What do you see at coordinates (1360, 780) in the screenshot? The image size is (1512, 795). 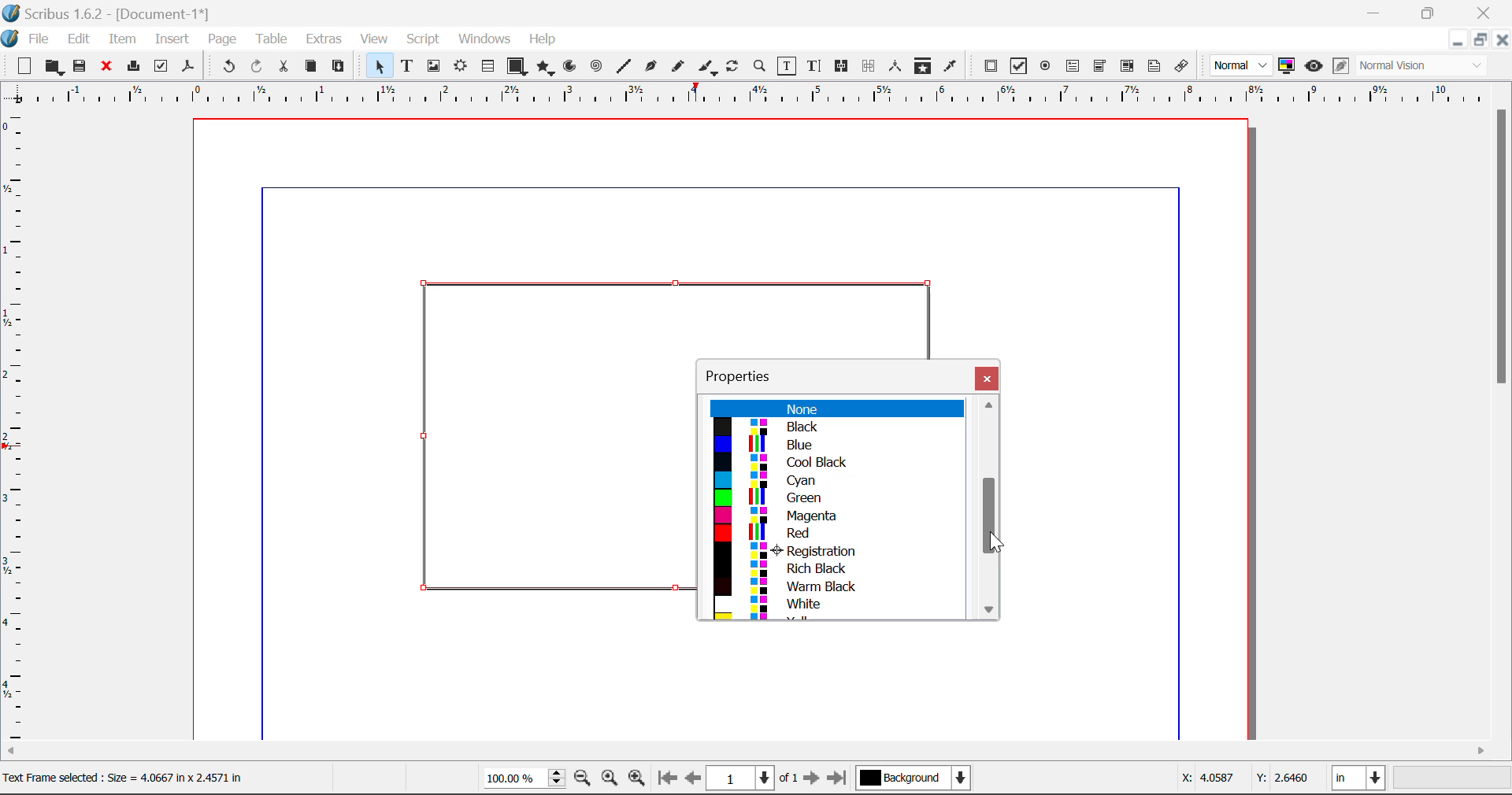 I see `Measurement Units` at bounding box center [1360, 780].